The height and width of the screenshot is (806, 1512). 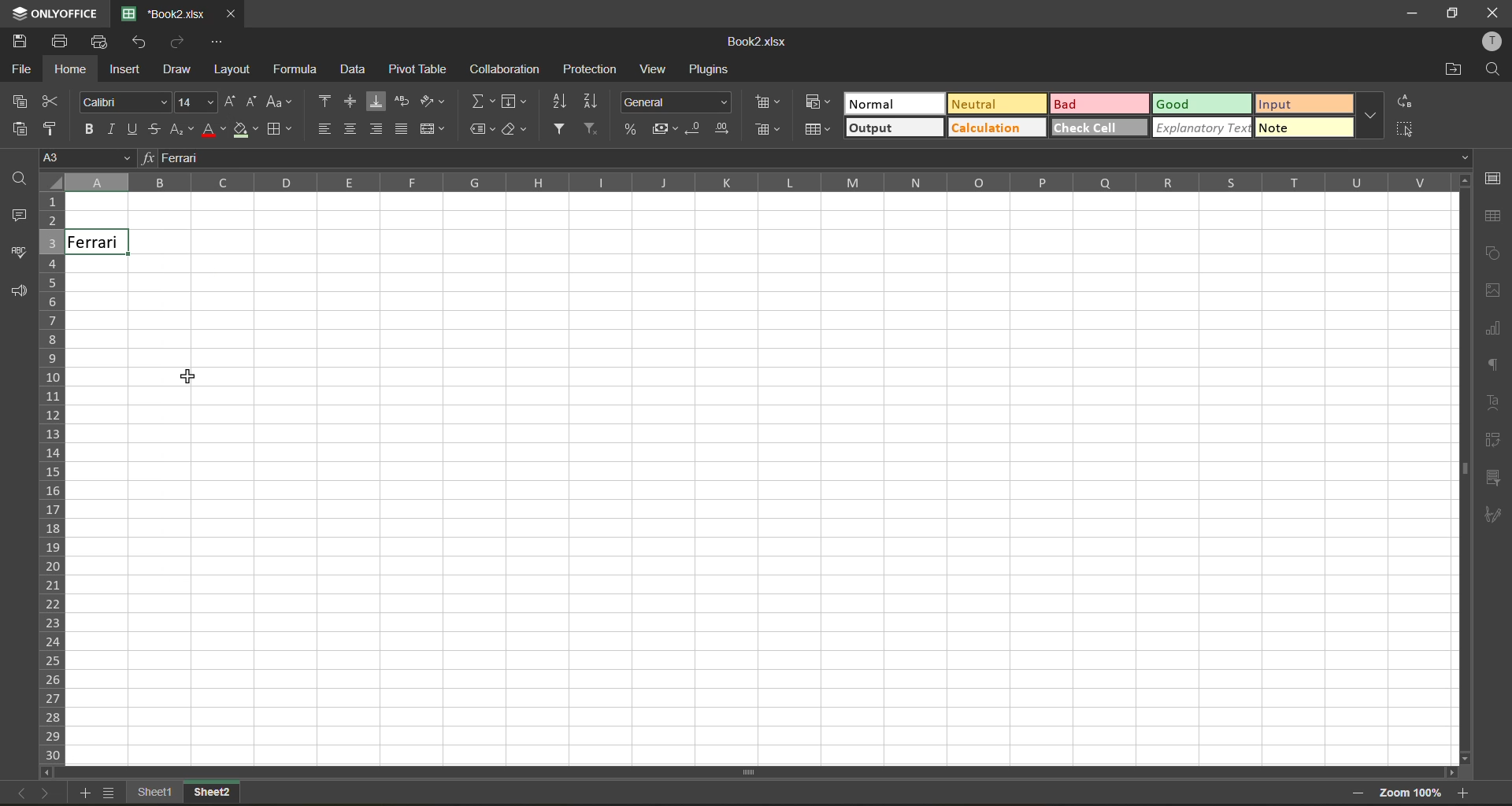 I want to click on normal, so click(x=892, y=102).